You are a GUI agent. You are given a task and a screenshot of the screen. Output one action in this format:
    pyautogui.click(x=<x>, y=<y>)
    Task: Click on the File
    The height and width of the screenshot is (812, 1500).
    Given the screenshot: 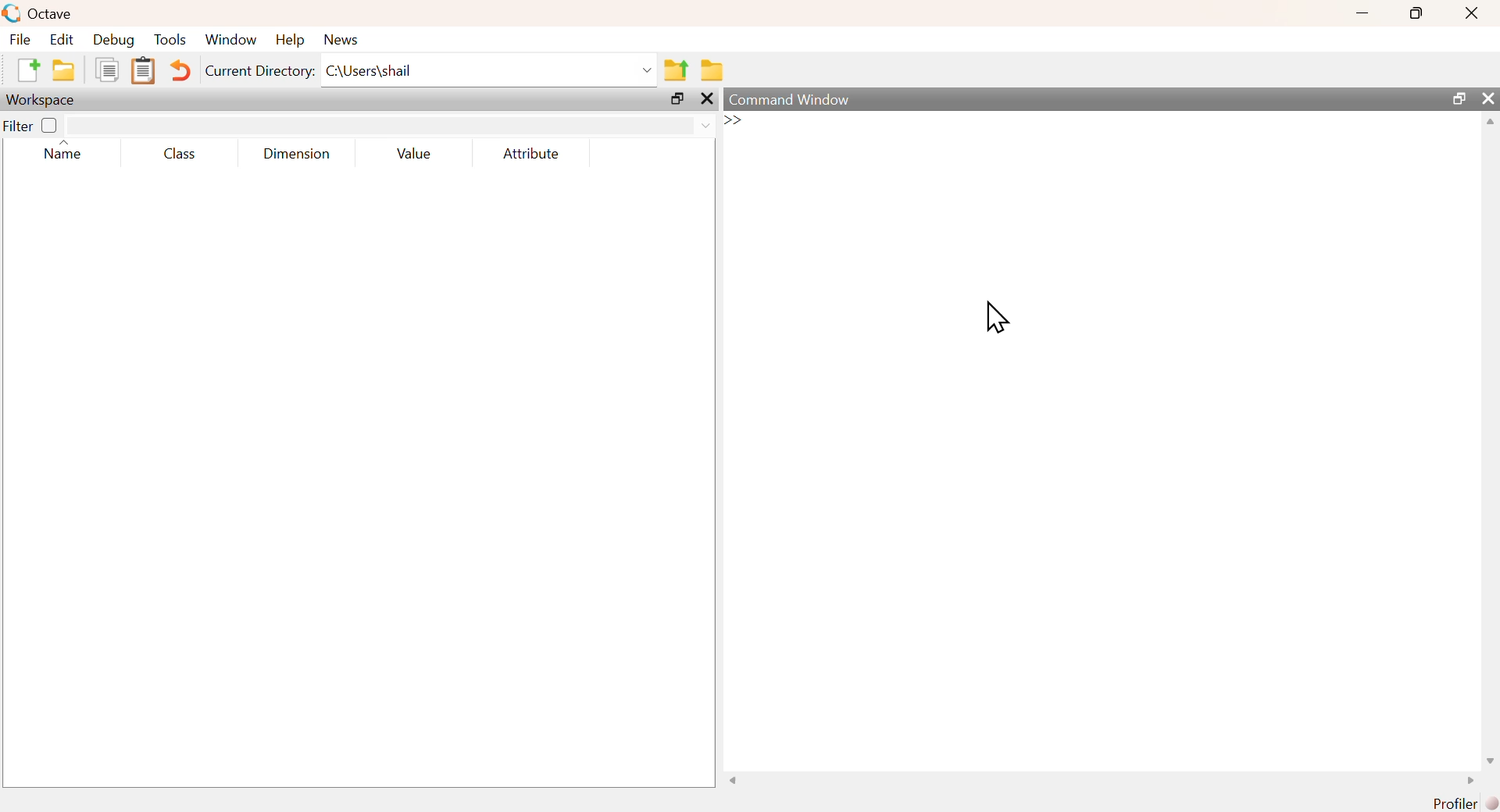 What is the action you would take?
    pyautogui.click(x=21, y=39)
    